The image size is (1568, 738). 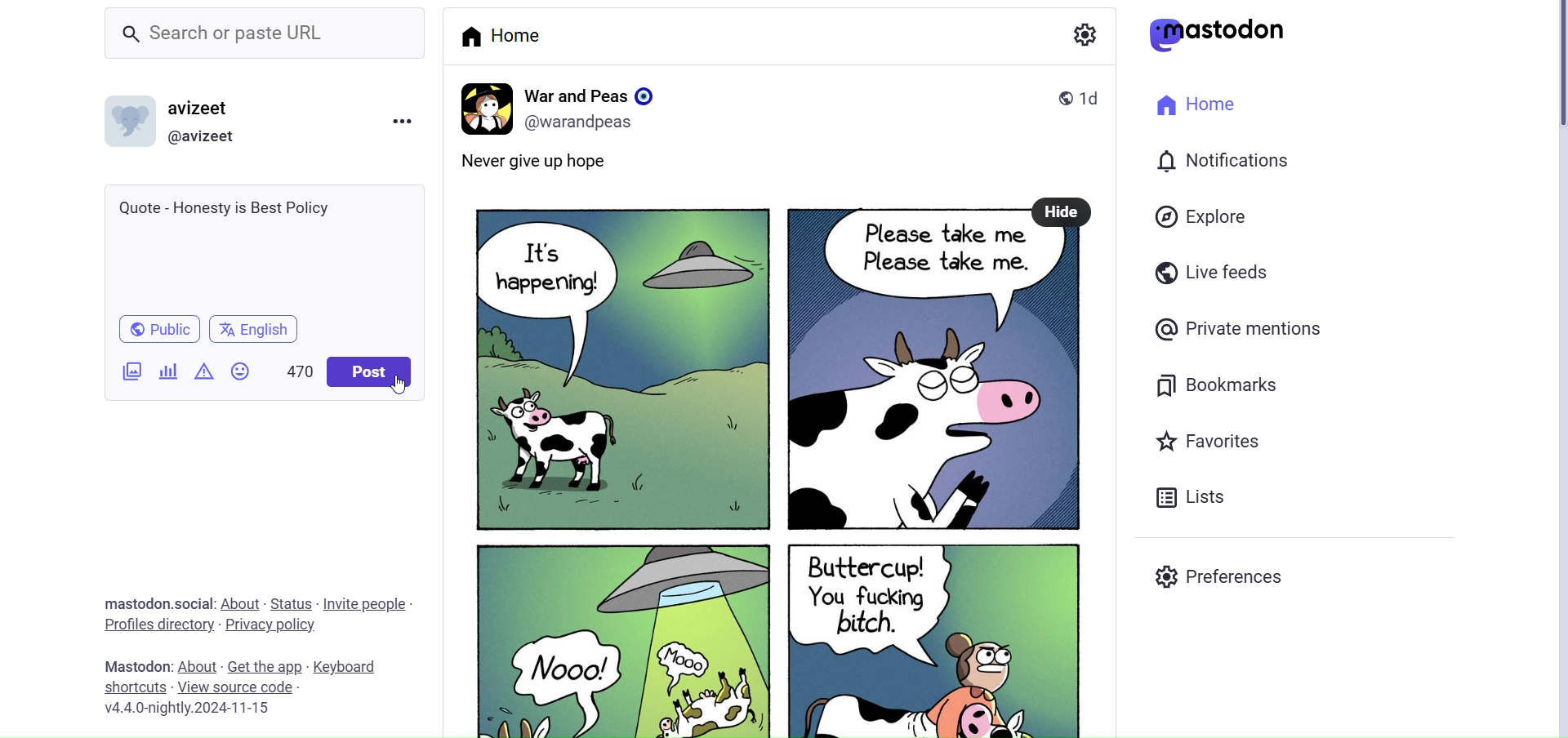 I want to click on Public, so click(x=155, y=330).